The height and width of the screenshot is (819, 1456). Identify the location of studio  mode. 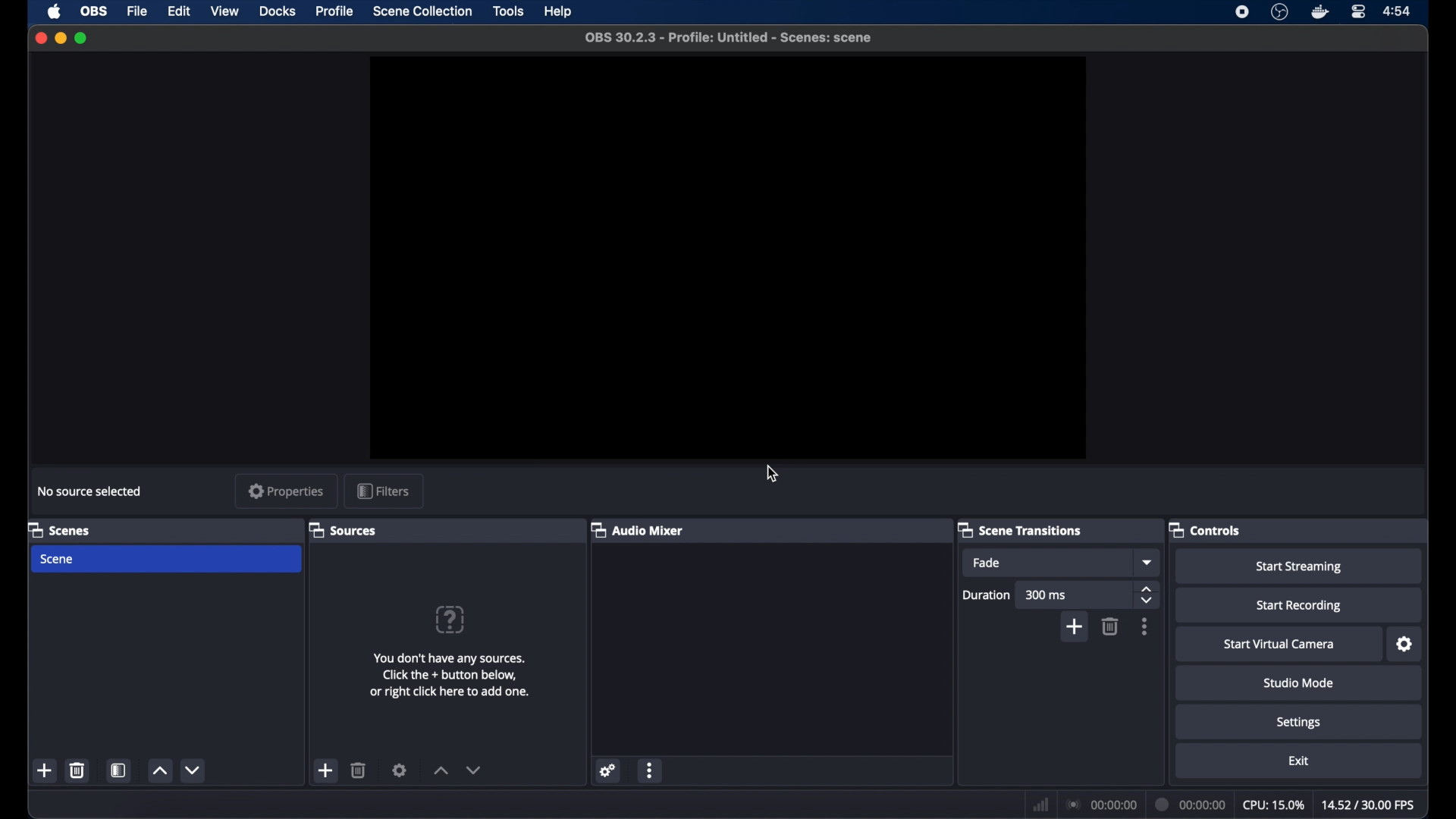
(1297, 682).